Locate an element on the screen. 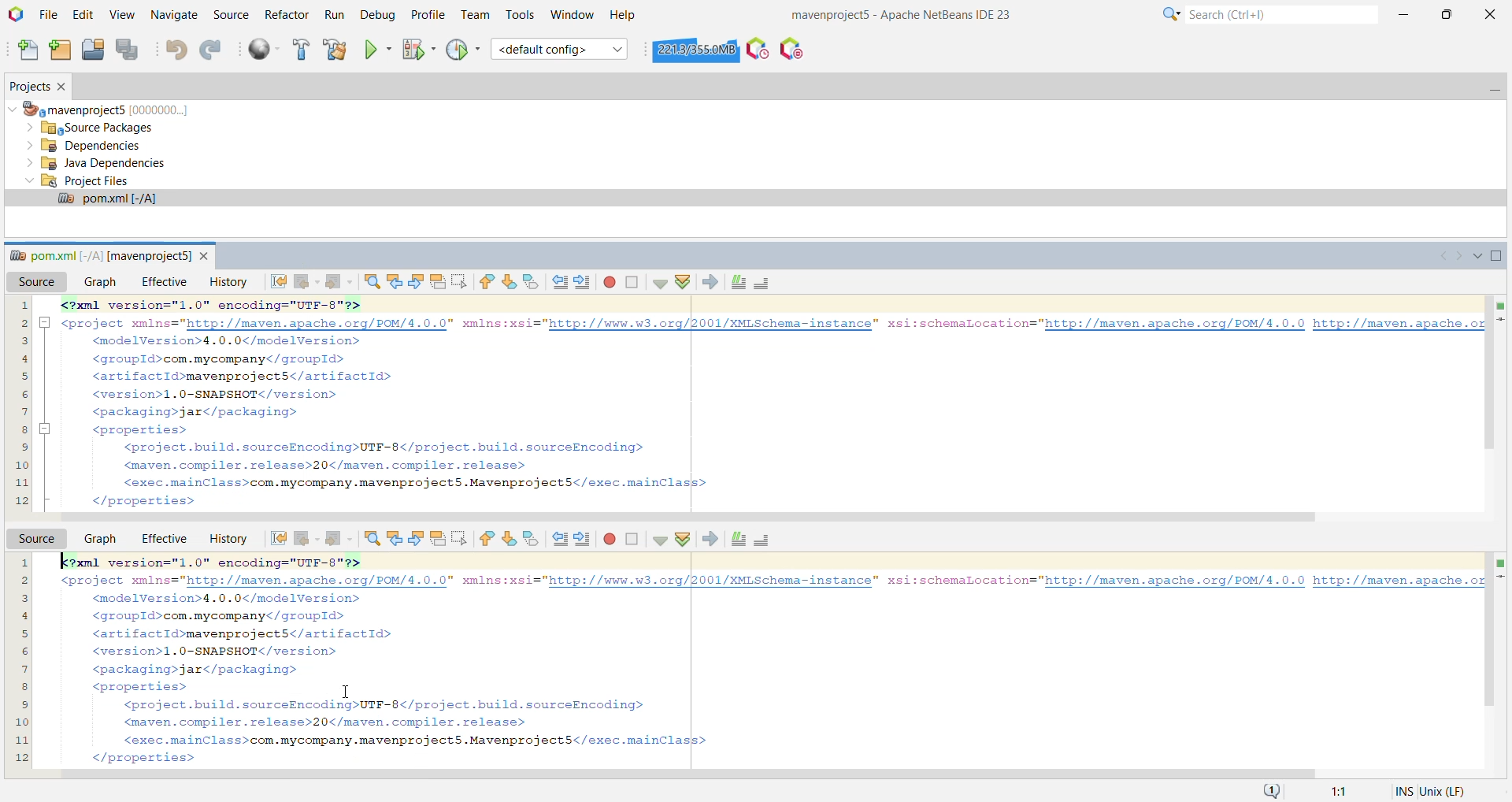  History is located at coordinates (224, 538).